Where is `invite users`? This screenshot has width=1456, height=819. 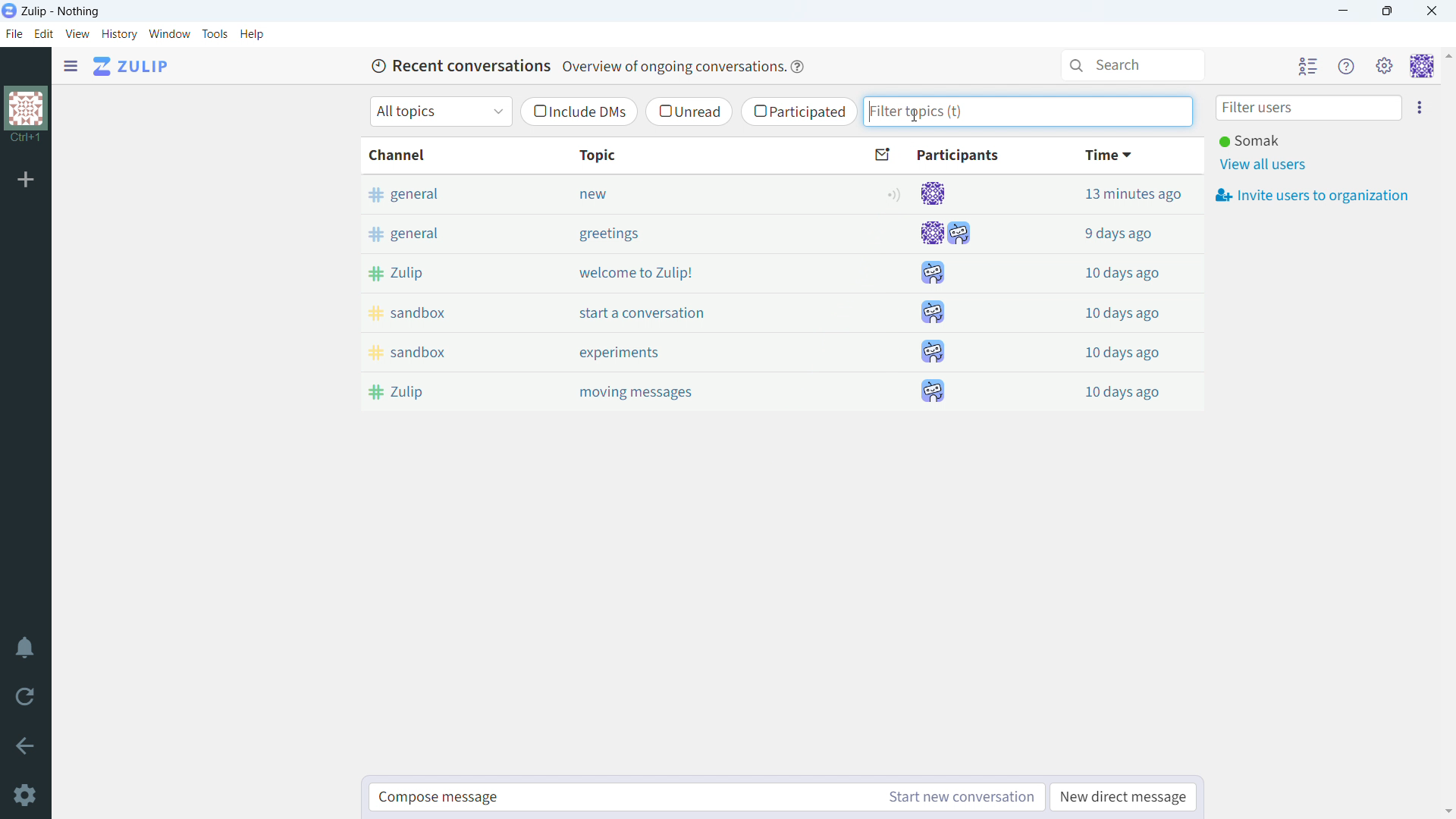 invite users is located at coordinates (1420, 107).